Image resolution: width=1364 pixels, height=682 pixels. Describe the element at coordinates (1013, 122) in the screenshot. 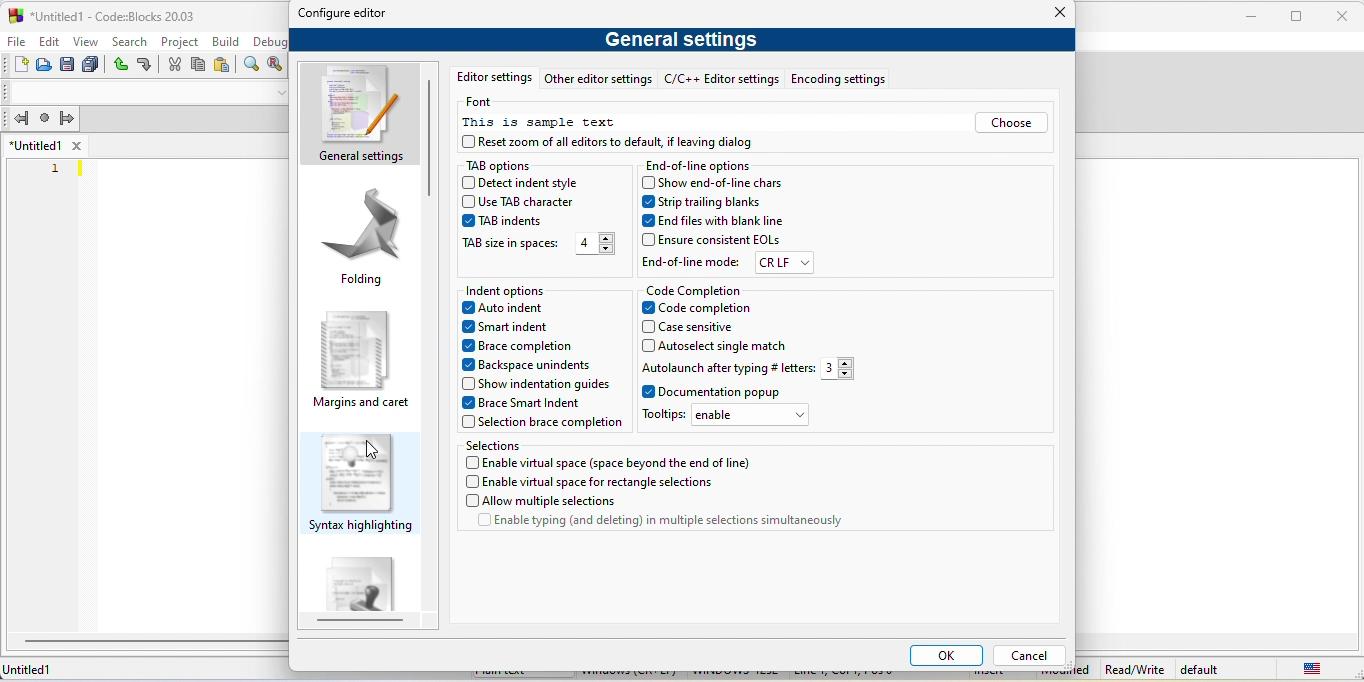

I see `choose` at that location.